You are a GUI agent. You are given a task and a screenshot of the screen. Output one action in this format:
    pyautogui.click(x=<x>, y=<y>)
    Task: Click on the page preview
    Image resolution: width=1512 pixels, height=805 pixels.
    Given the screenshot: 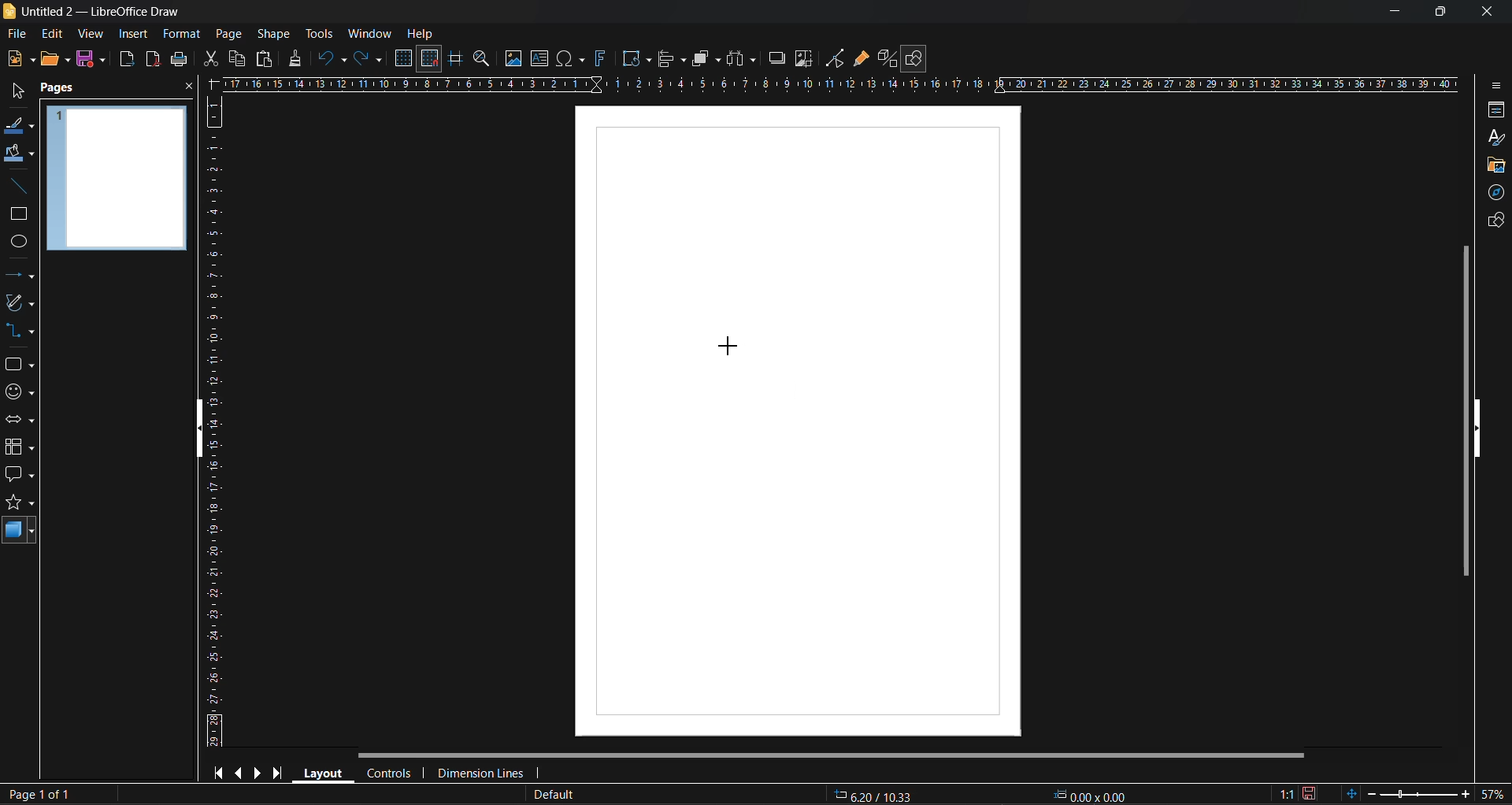 What is the action you would take?
    pyautogui.click(x=120, y=180)
    